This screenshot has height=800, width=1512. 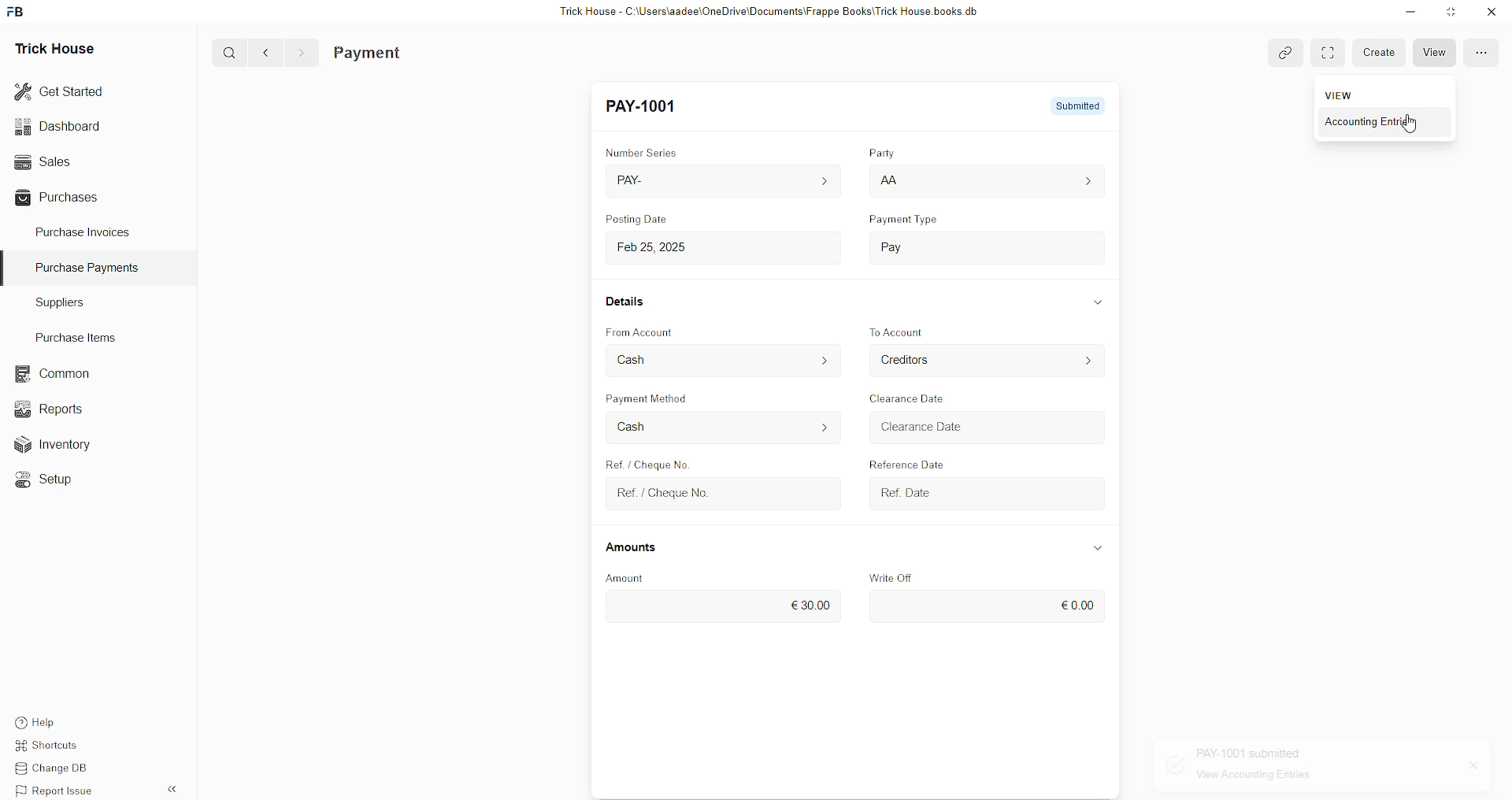 What do you see at coordinates (61, 448) in the screenshot?
I see `Inventory` at bounding box center [61, 448].